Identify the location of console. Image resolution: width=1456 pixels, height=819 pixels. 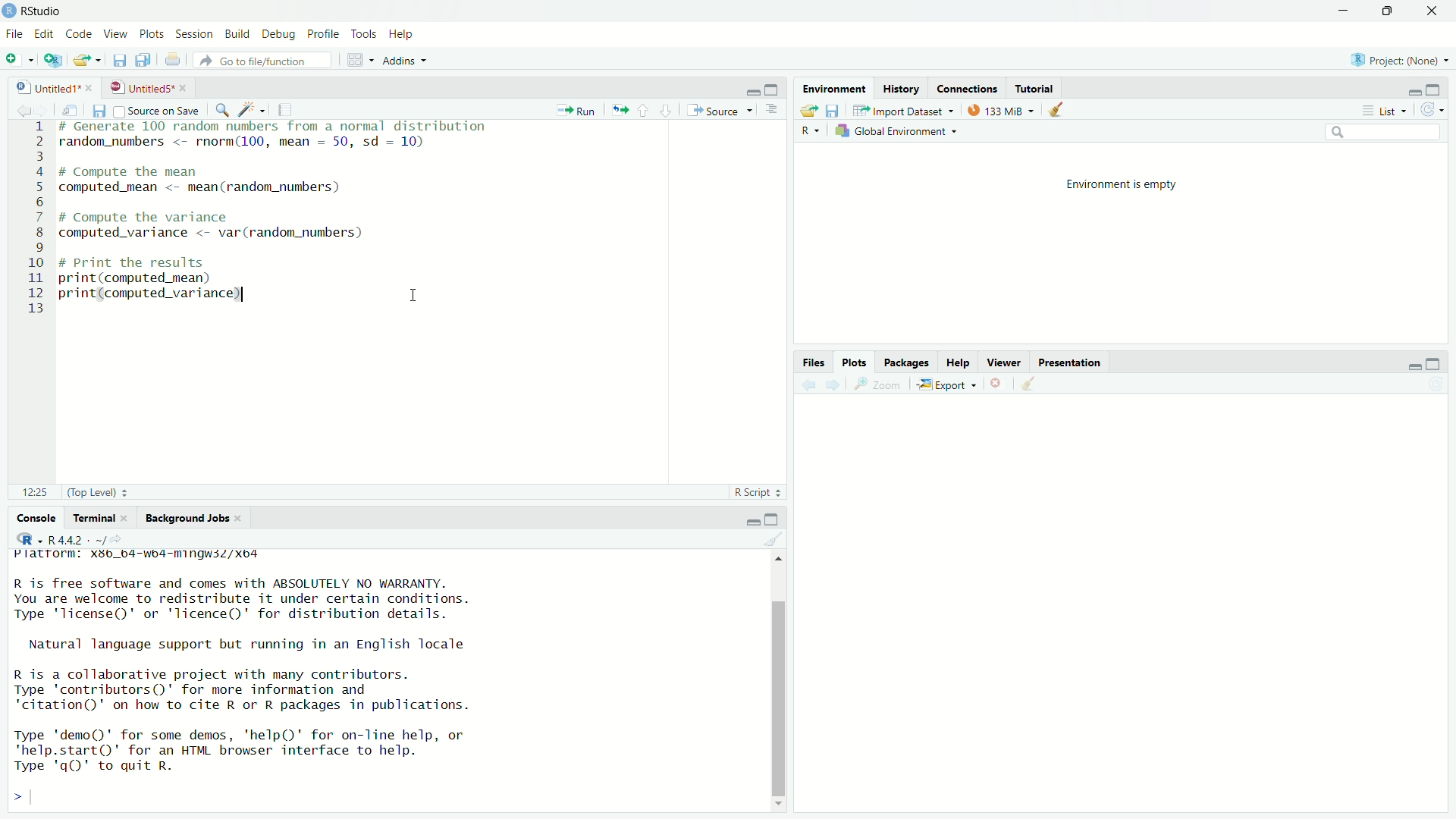
(31, 518).